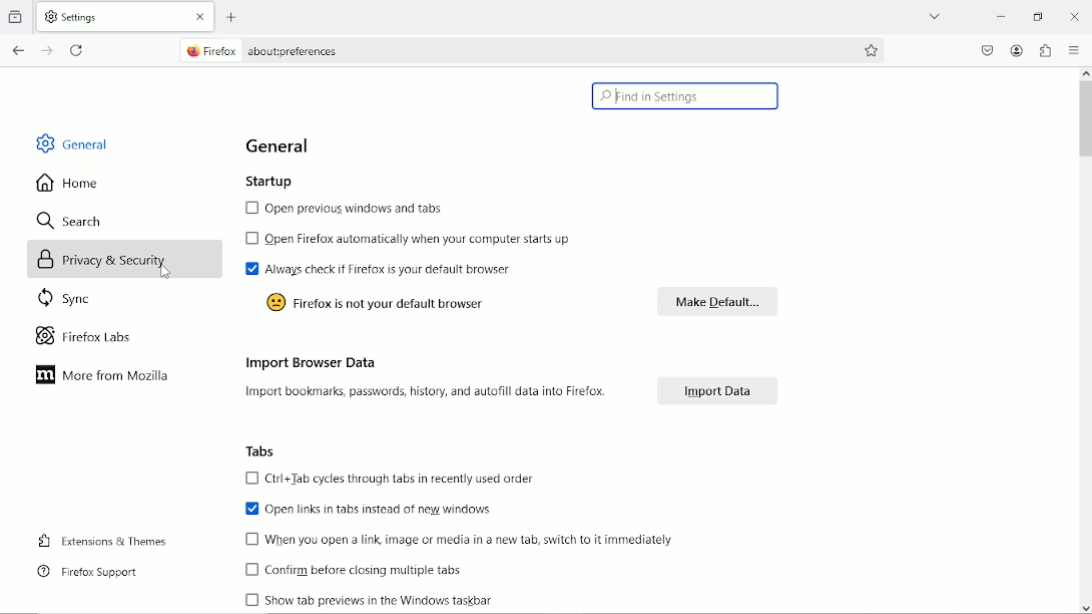  Describe the element at coordinates (713, 302) in the screenshot. I see `make default` at that location.